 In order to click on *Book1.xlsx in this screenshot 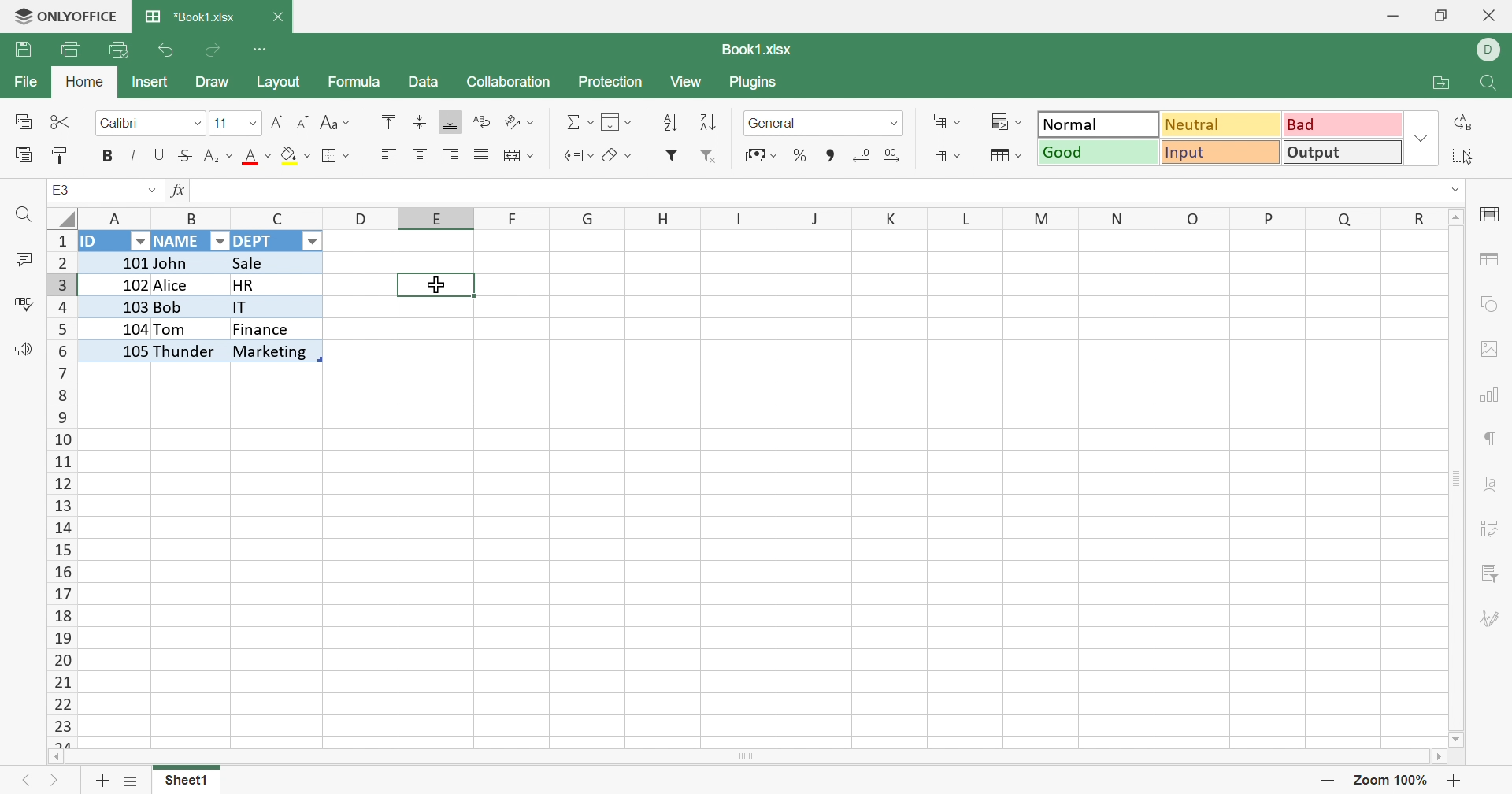, I will do `click(192, 18)`.